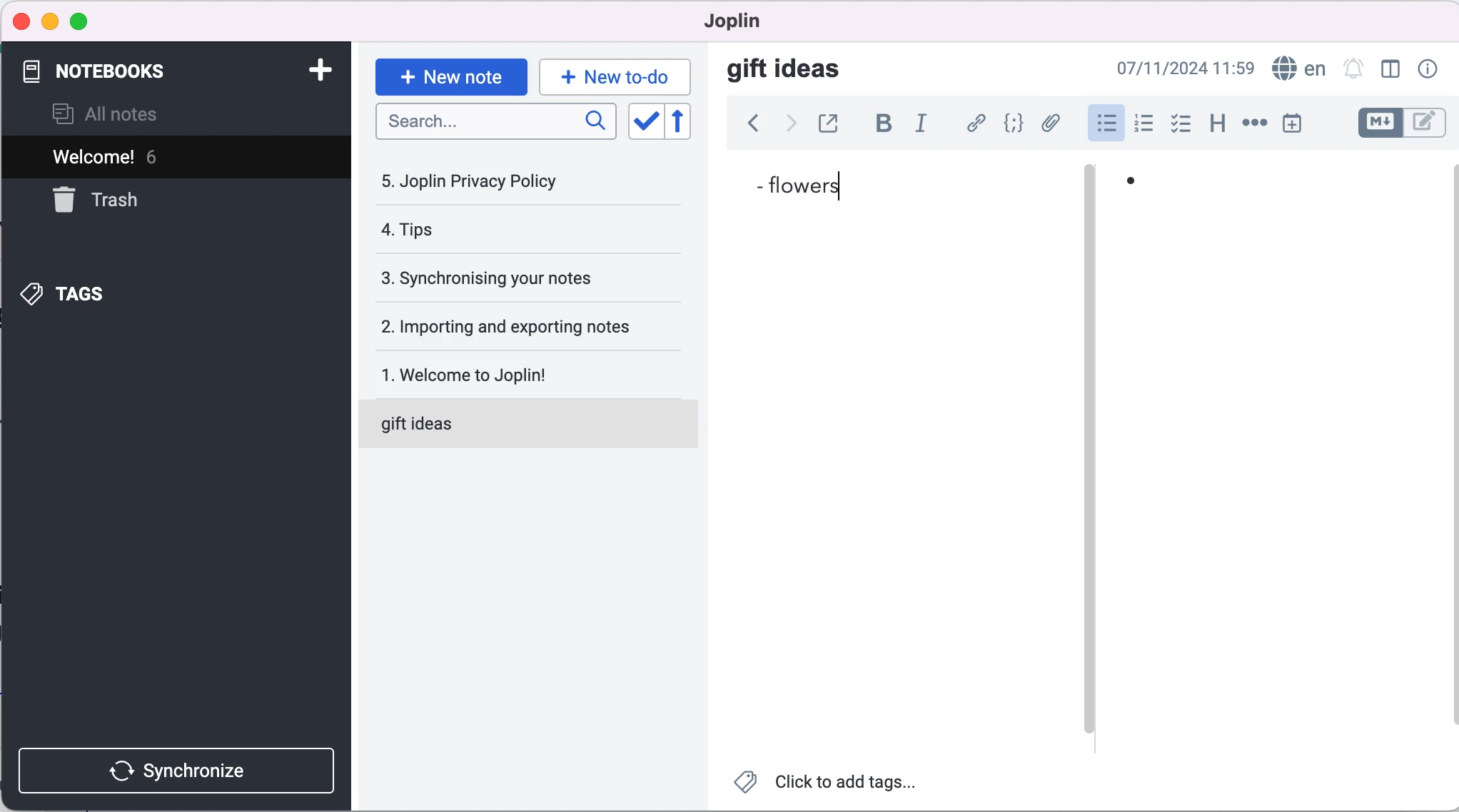 This screenshot has width=1459, height=812. Describe the element at coordinates (513, 425) in the screenshot. I see `gift ideas note` at that location.